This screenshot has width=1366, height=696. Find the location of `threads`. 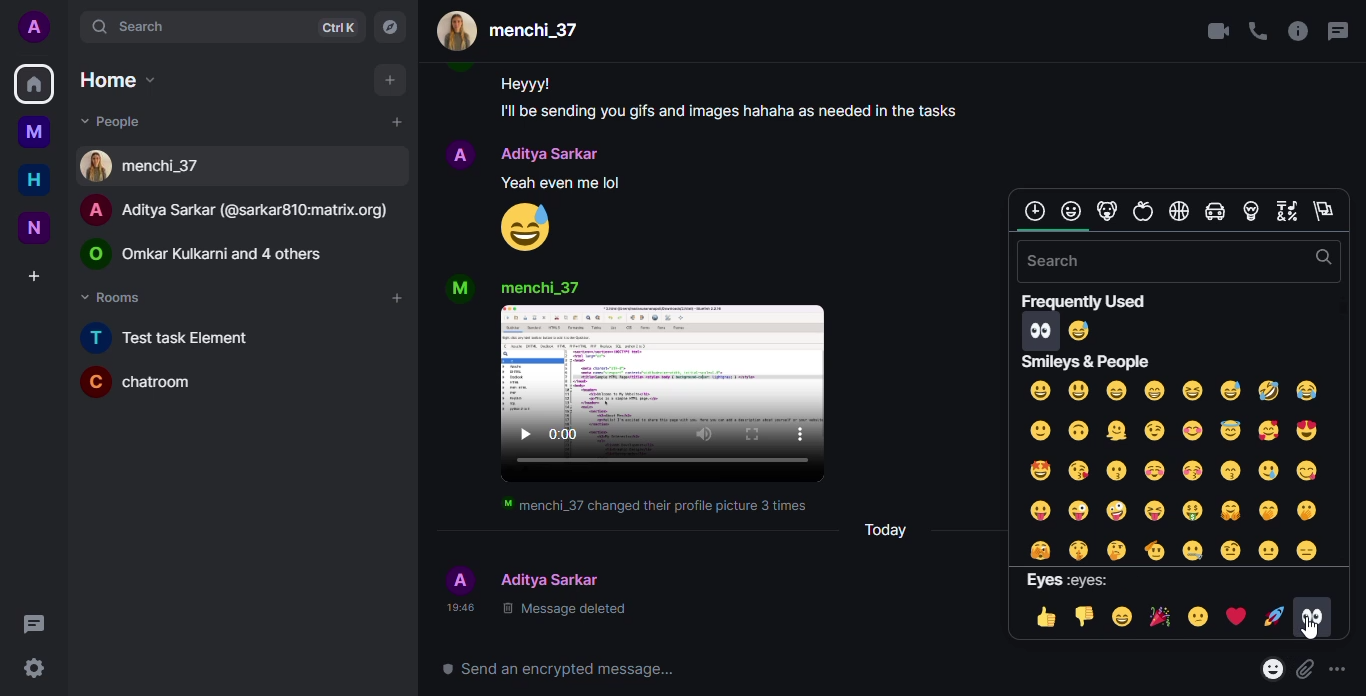

threads is located at coordinates (33, 623).